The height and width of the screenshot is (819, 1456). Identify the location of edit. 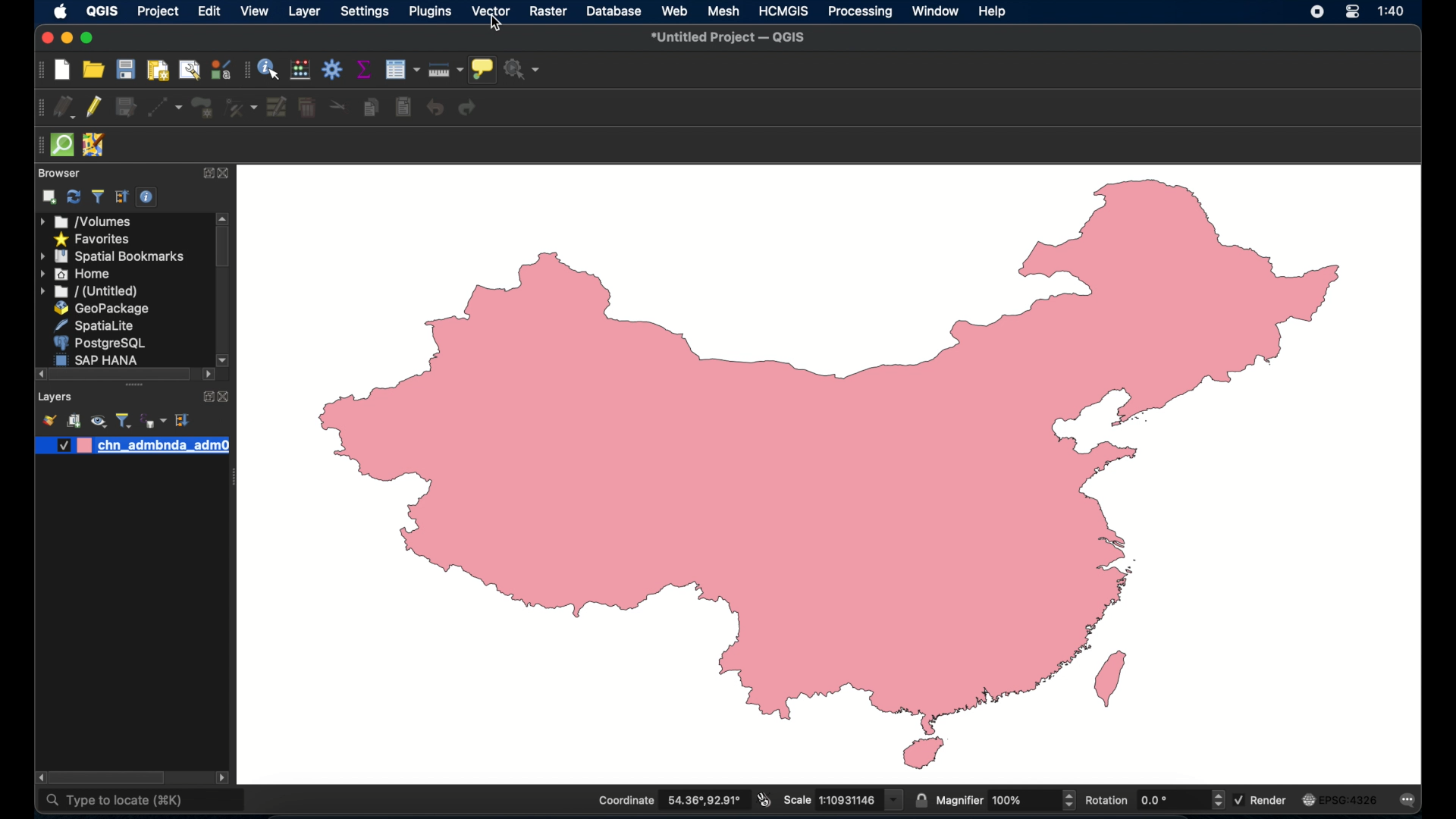
(206, 11).